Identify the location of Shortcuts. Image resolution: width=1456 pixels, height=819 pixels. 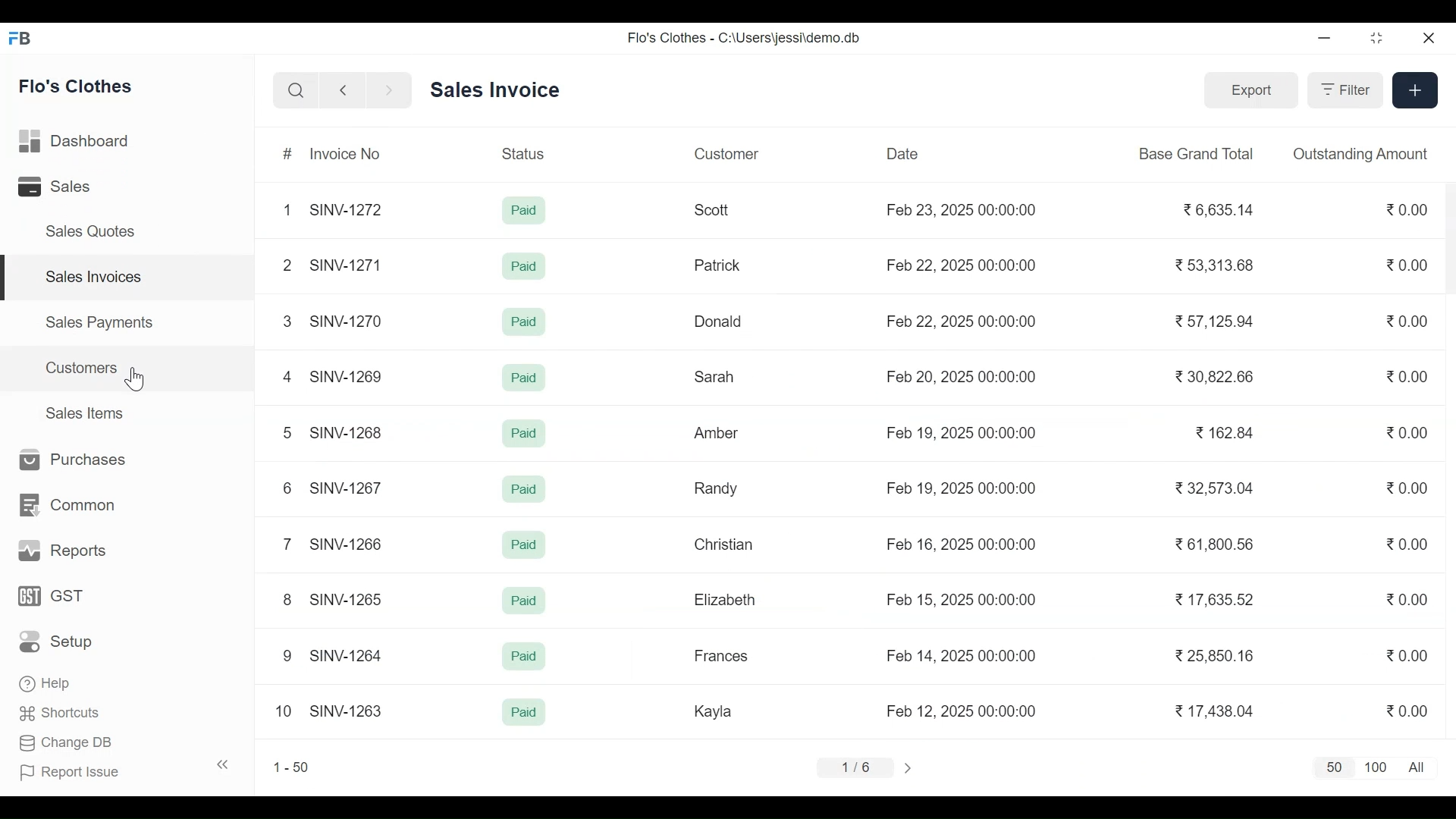
(55, 712).